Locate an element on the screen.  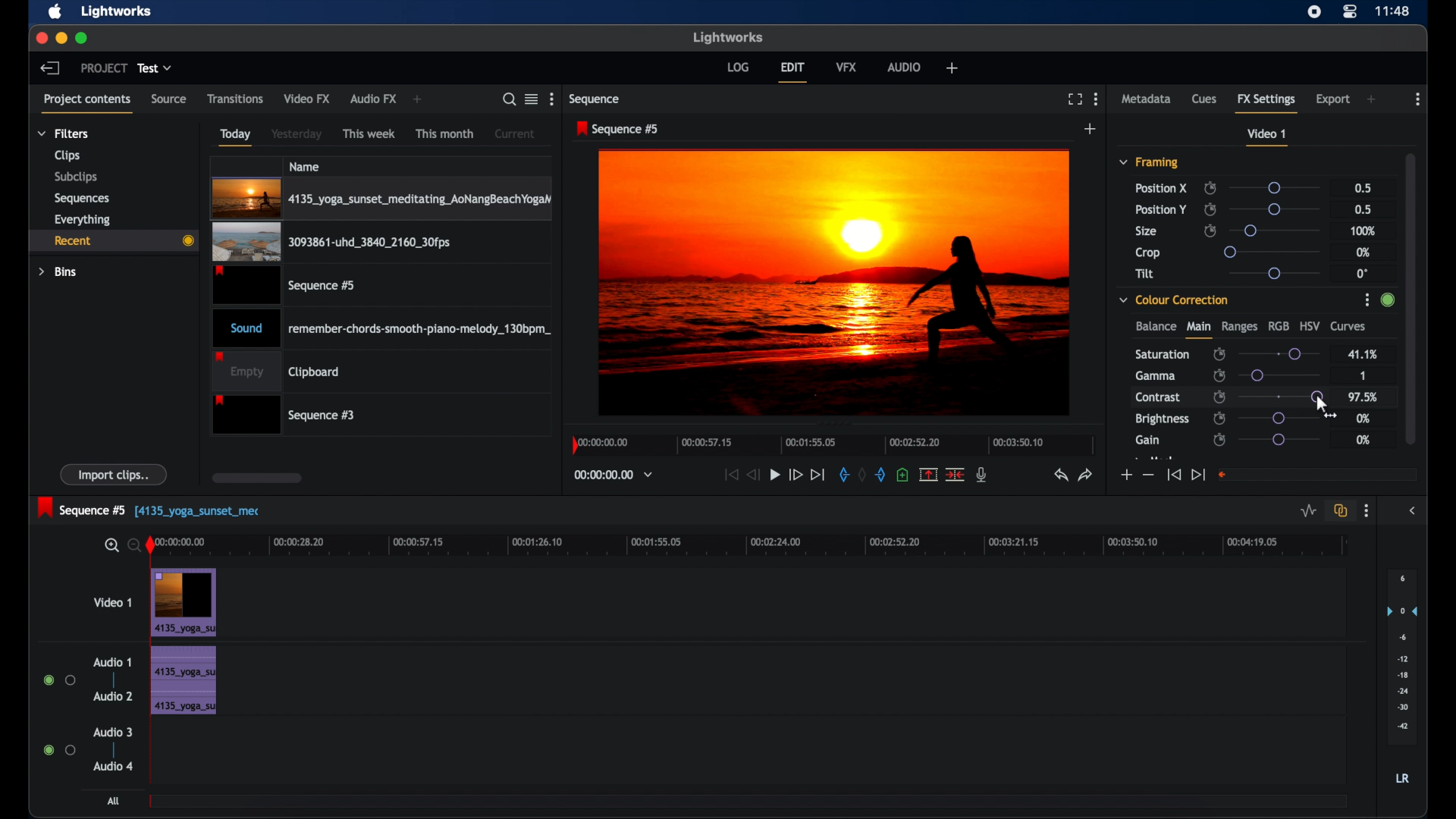
project contents is located at coordinates (89, 102).